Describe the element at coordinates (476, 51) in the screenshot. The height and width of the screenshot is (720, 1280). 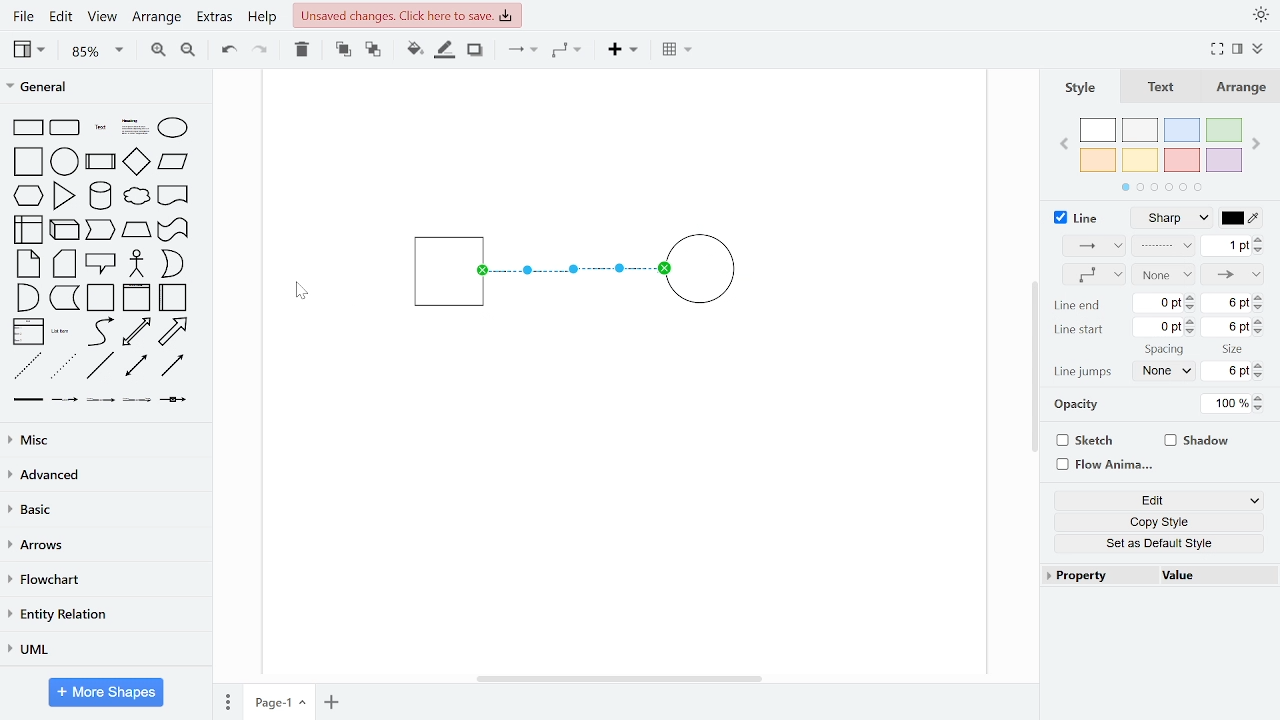
I see `shadow` at that location.